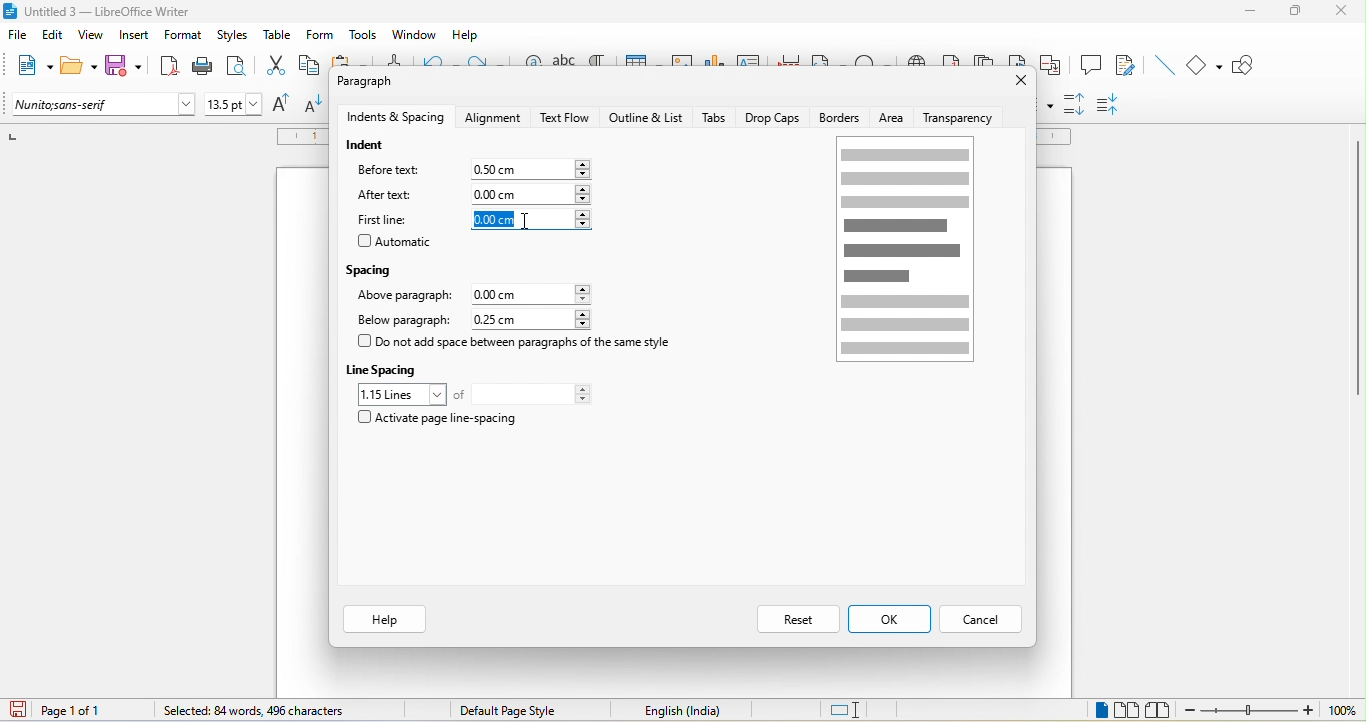 The image size is (1366, 722). Describe the element at coordinates (377, 273) in the screenshot. I see `spacing` at that location.